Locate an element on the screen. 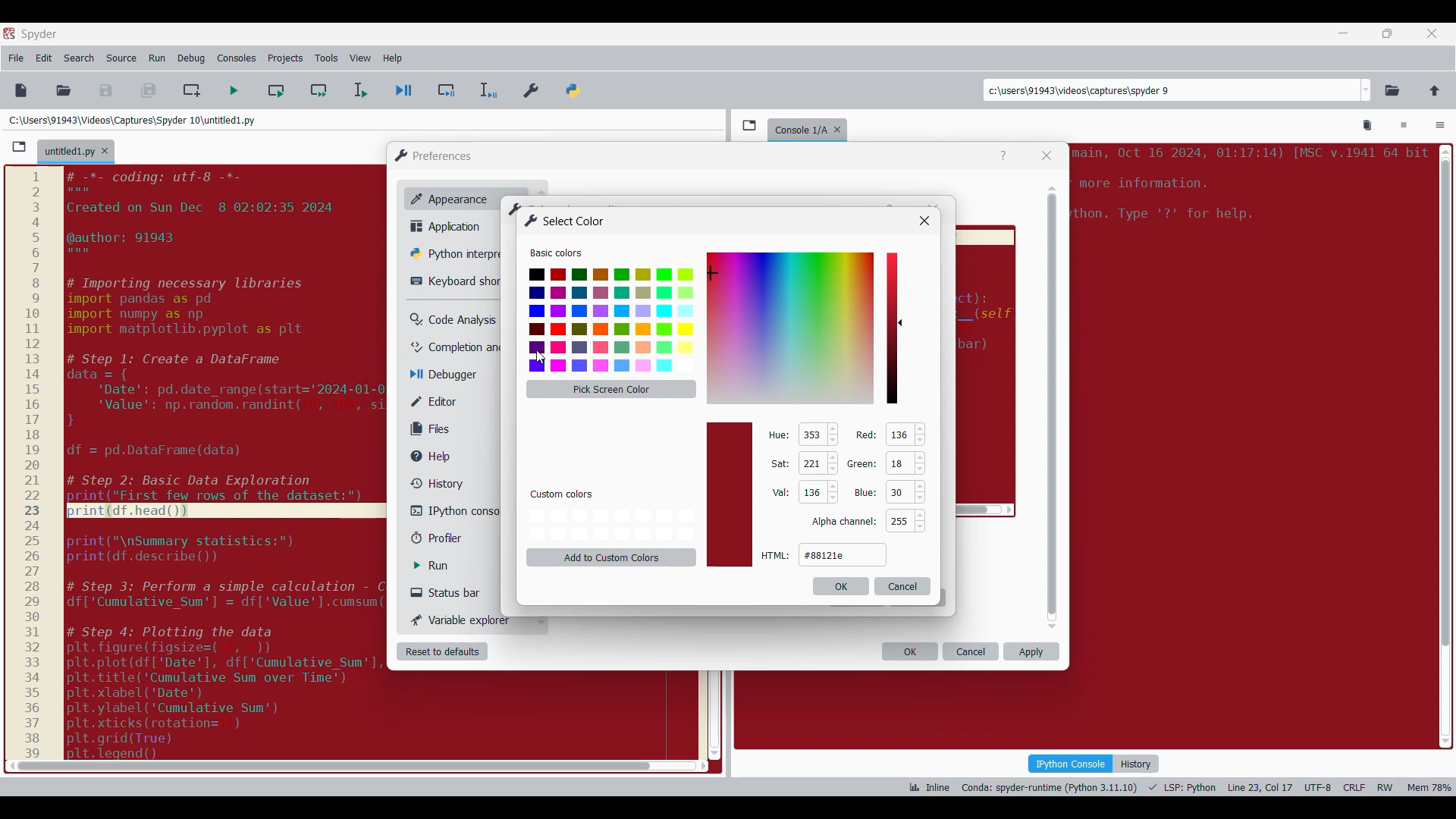  scroll bar is located at coordinates (329, 765).